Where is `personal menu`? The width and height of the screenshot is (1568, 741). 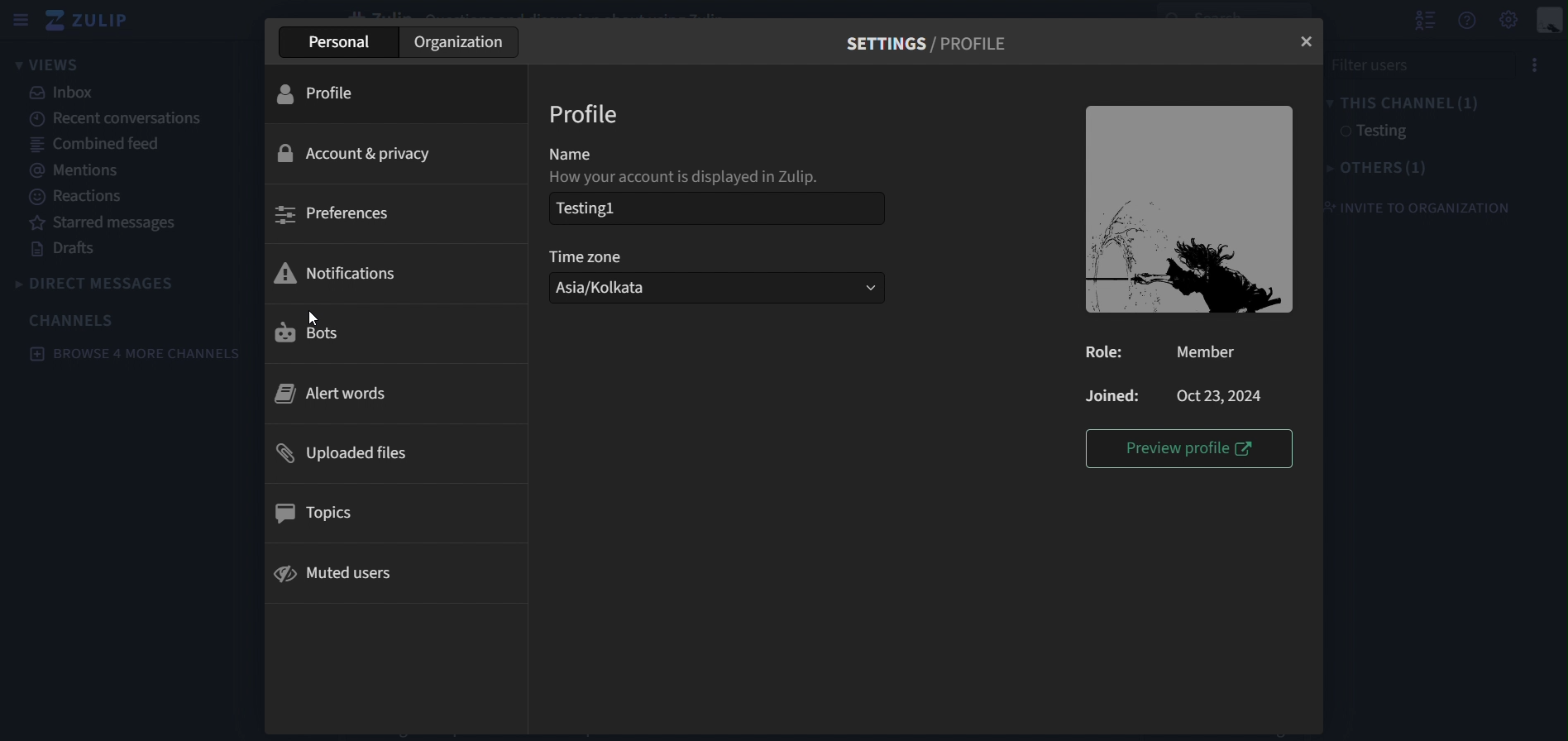
personal menu is located at coordinates (1551, 22).